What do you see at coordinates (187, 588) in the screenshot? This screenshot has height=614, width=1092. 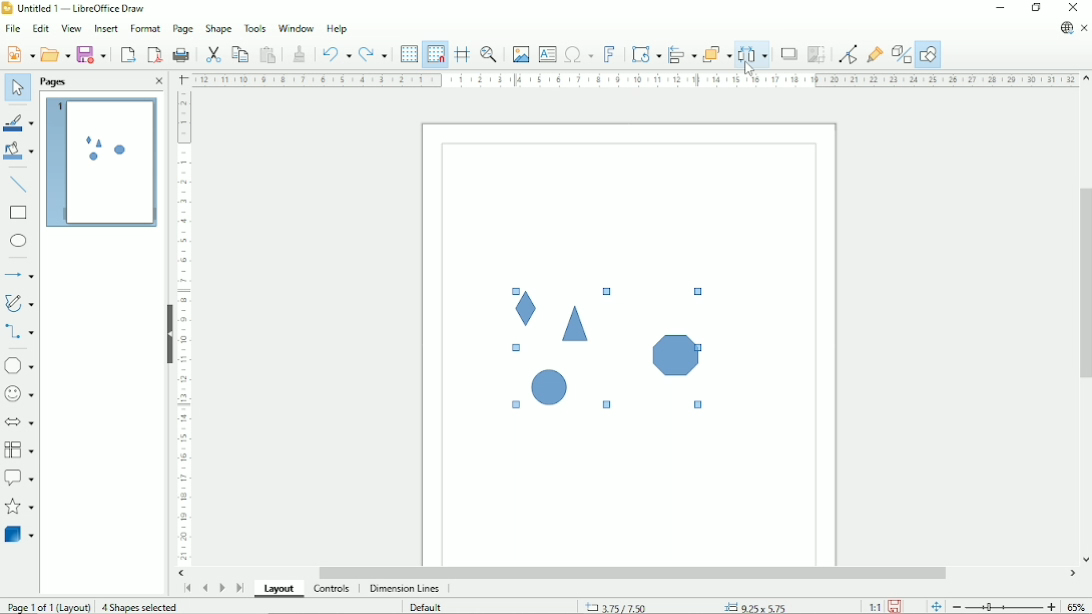 I see `Scroll to first page` at bounding box center [187, 588].